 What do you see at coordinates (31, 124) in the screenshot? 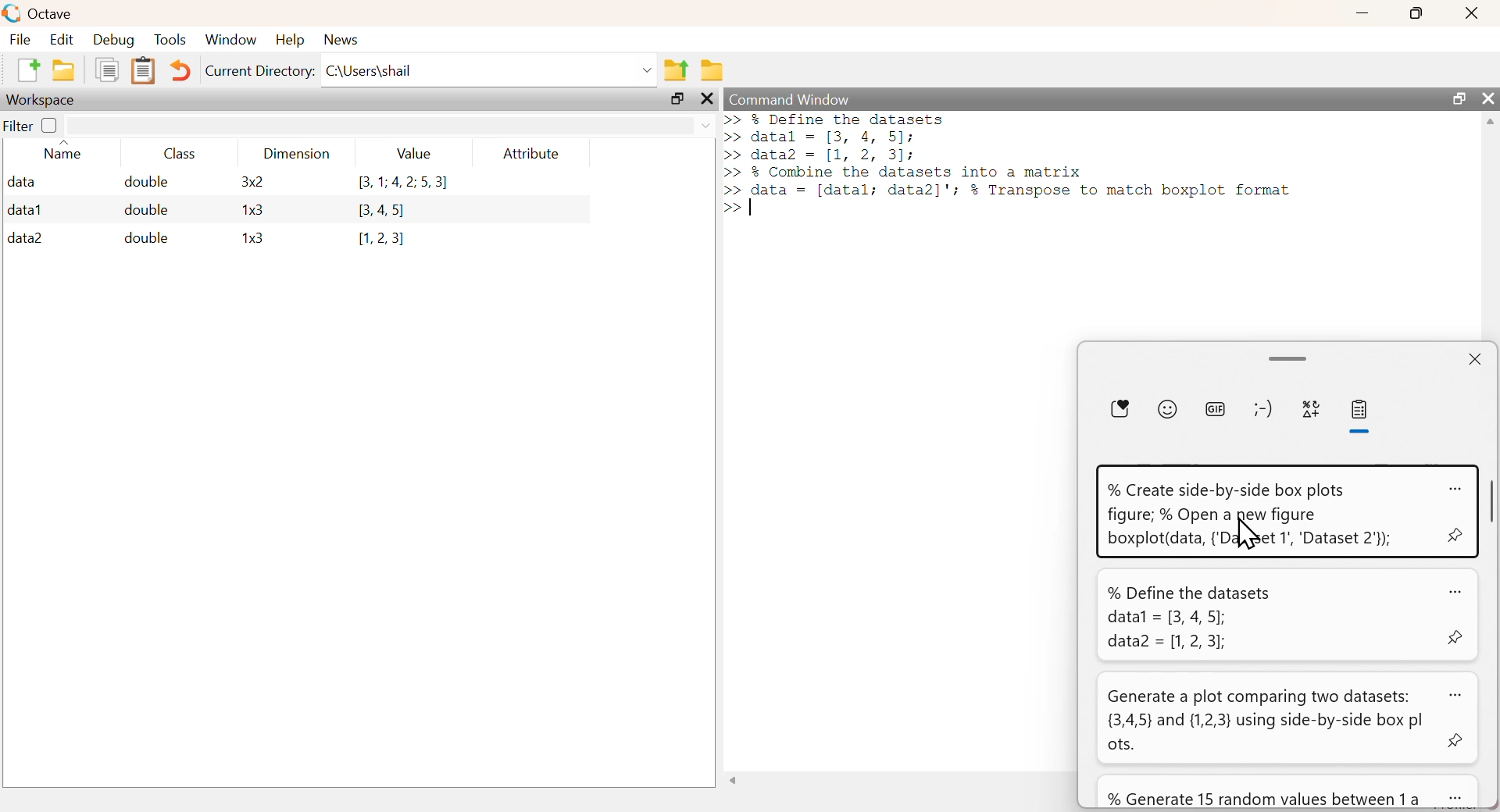
I see `Filter` at bounding box center [31, 124].